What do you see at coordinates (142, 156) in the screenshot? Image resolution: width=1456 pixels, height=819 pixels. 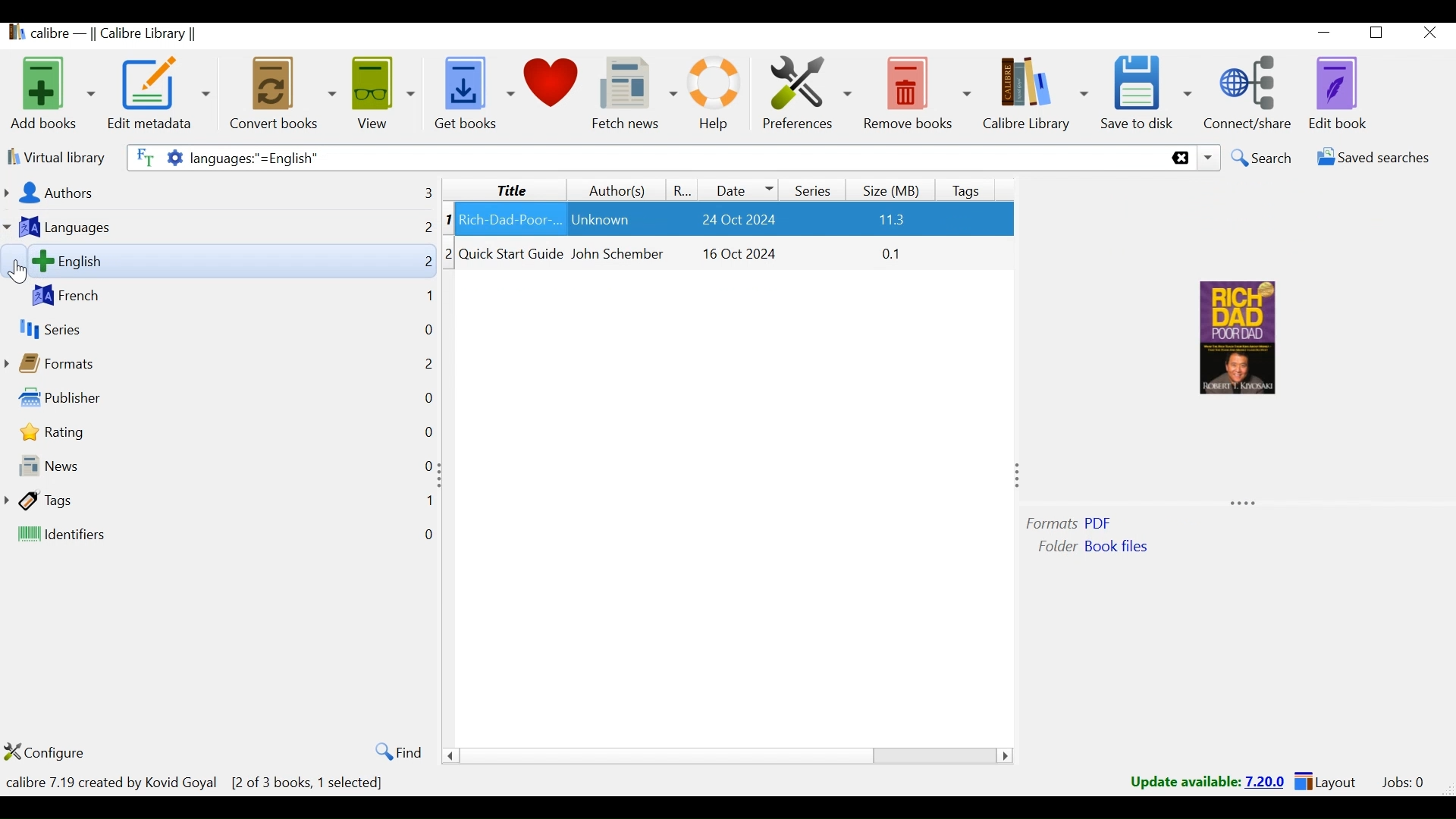 I see `Search by texts in all books in the libary` at bounding box center [142, 156].